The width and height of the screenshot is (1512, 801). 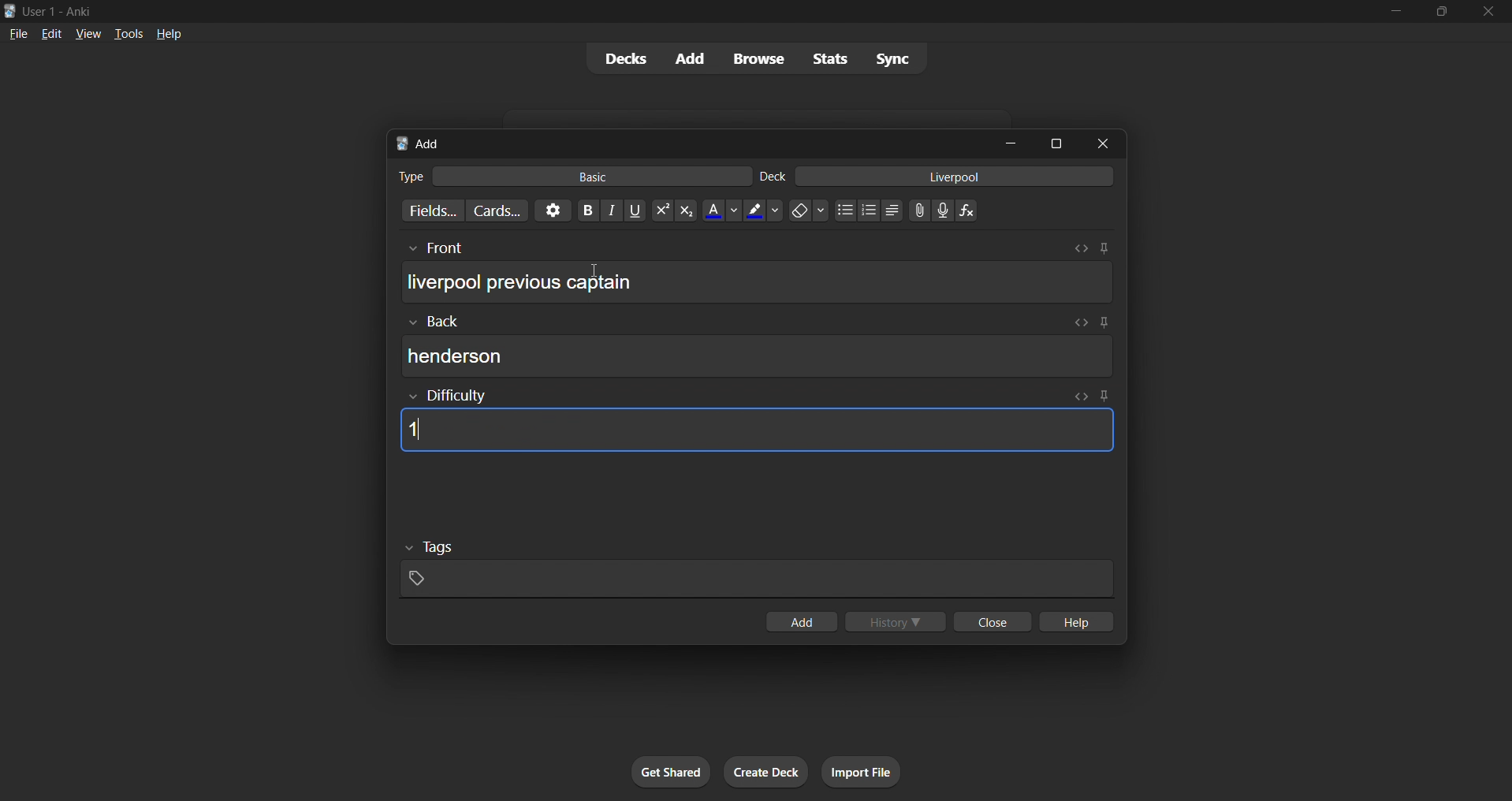 What do you see at coordinates (592, 271) in the screenshot?
I see `cursor` at bounding box center [592, 271].